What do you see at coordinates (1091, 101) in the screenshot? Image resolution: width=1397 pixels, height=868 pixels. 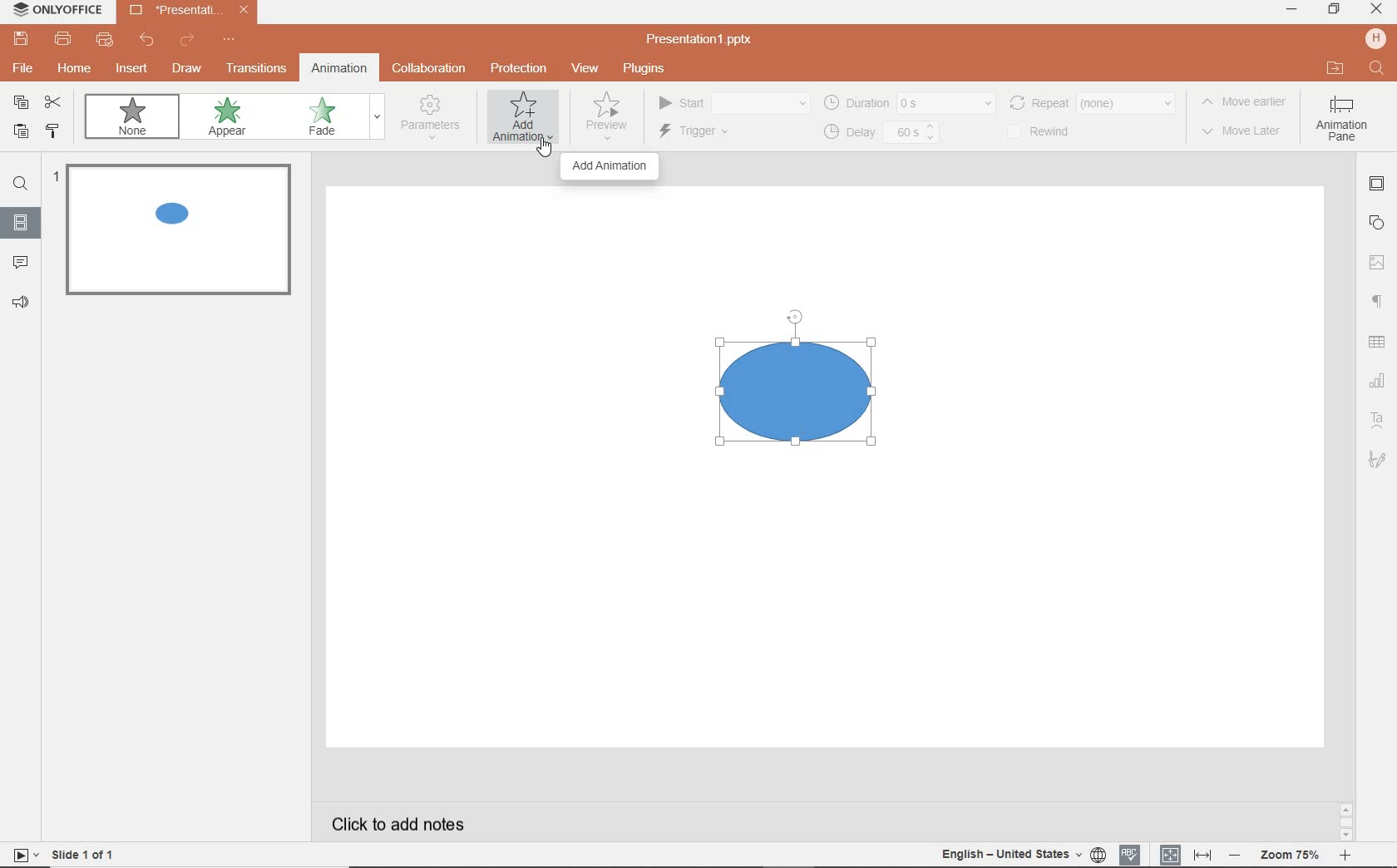 I see `rewind` at bounding box center [1091, 101].